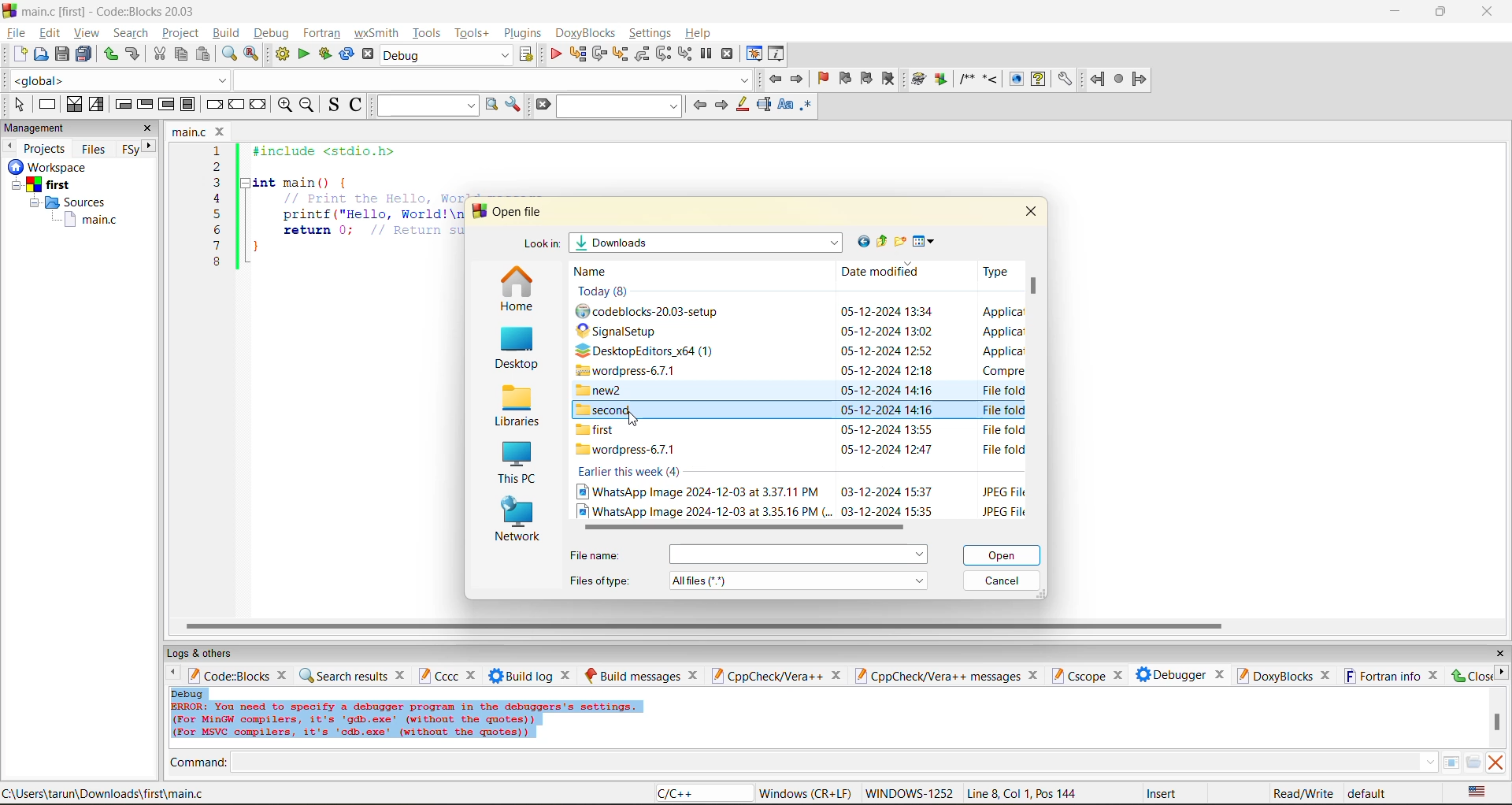 This screenshot has width=1512, height=805. What do you see at coordinates (84, 54) in the screenshot?
I see `save all` at bounding box center [84, 54].